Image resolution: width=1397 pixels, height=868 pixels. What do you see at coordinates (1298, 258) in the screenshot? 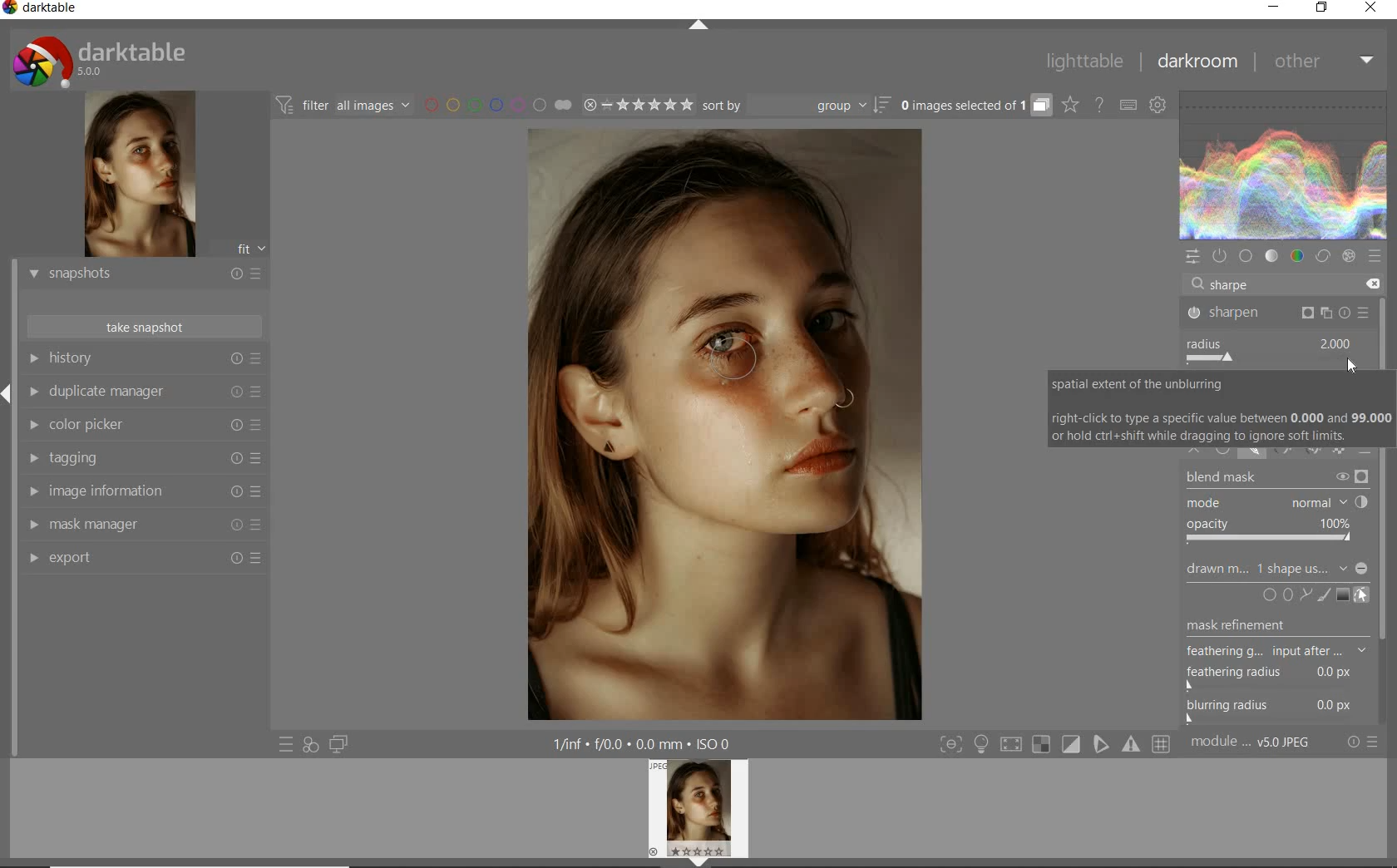
I see `color` at bounding box center [1298, 258].